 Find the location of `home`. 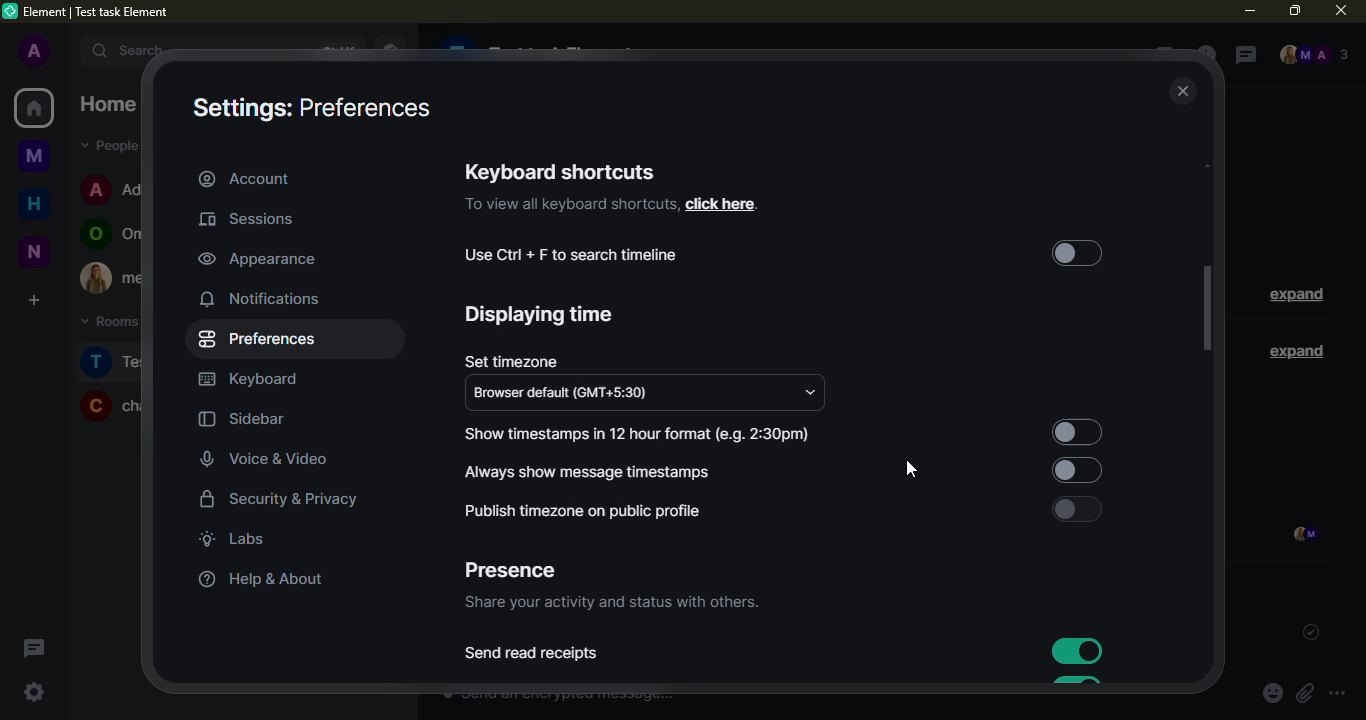

home is located at coordinates (34, 108).